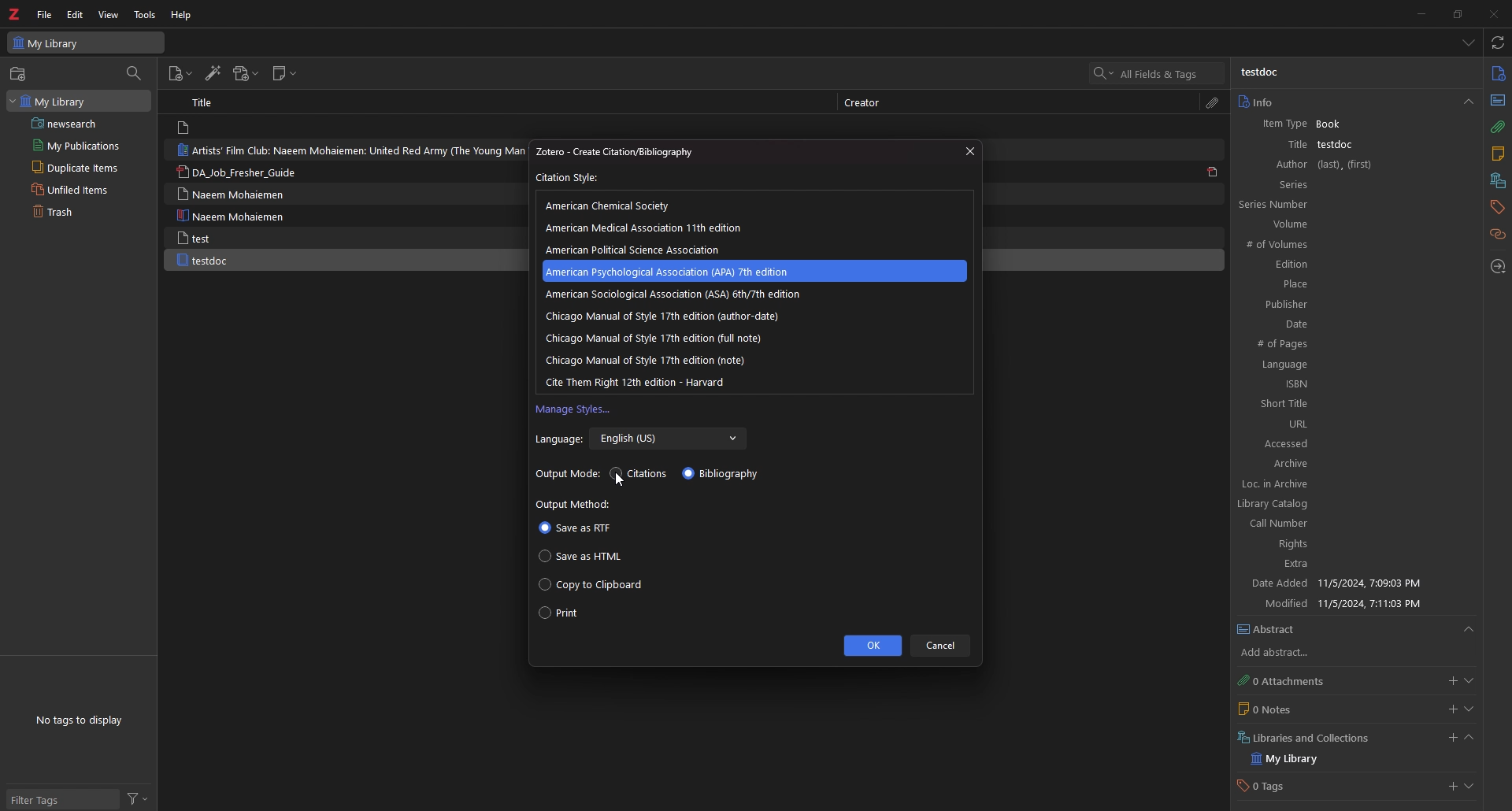 Image resolution: width=1512 pixels, height=811 pixels. I want to click on tags to display, so click(83, 720).